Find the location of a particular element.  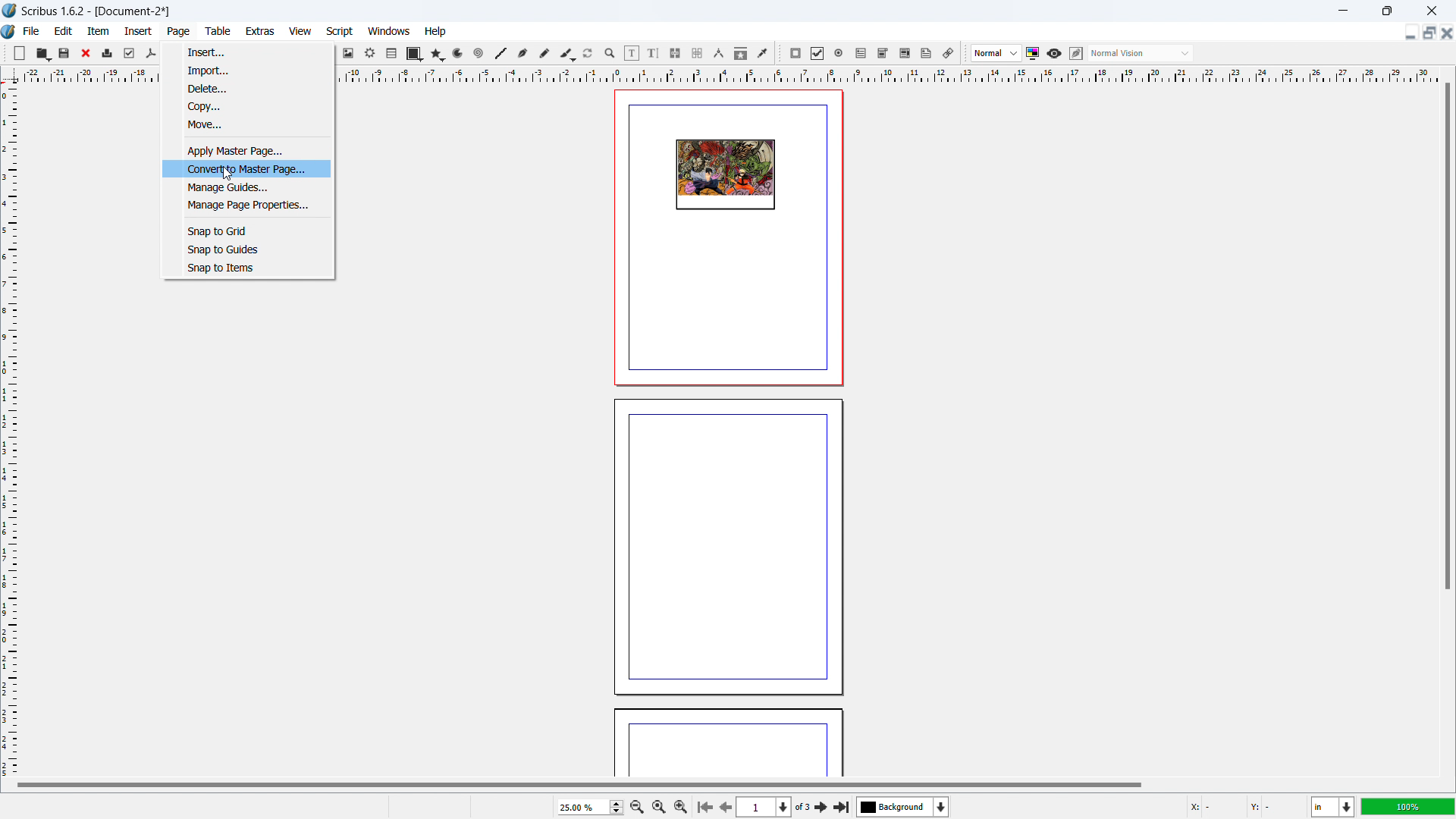

minimize window is located at coordinates (1341, 11).